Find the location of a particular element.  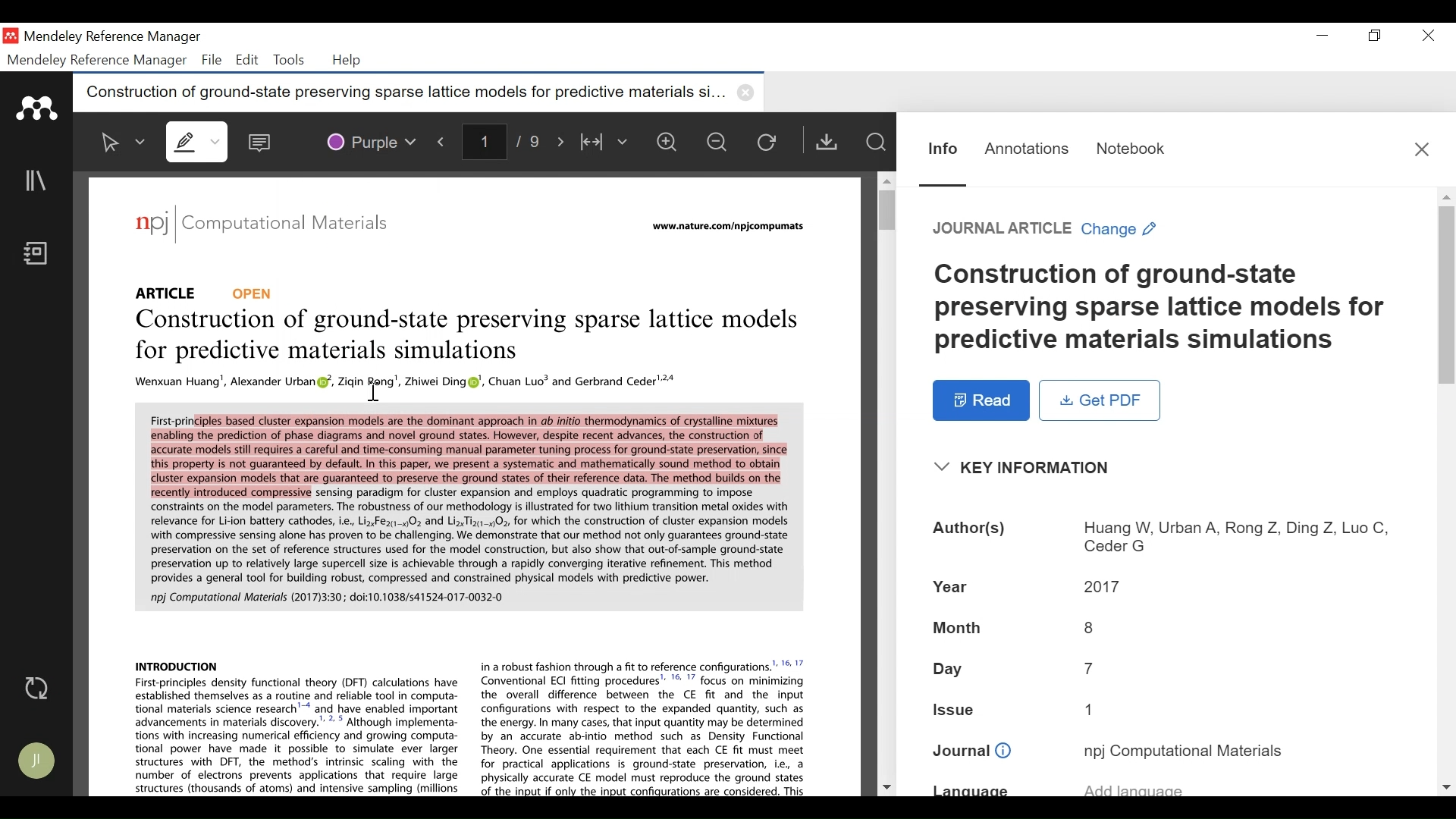

Issue is located at coordinates (961, 711).